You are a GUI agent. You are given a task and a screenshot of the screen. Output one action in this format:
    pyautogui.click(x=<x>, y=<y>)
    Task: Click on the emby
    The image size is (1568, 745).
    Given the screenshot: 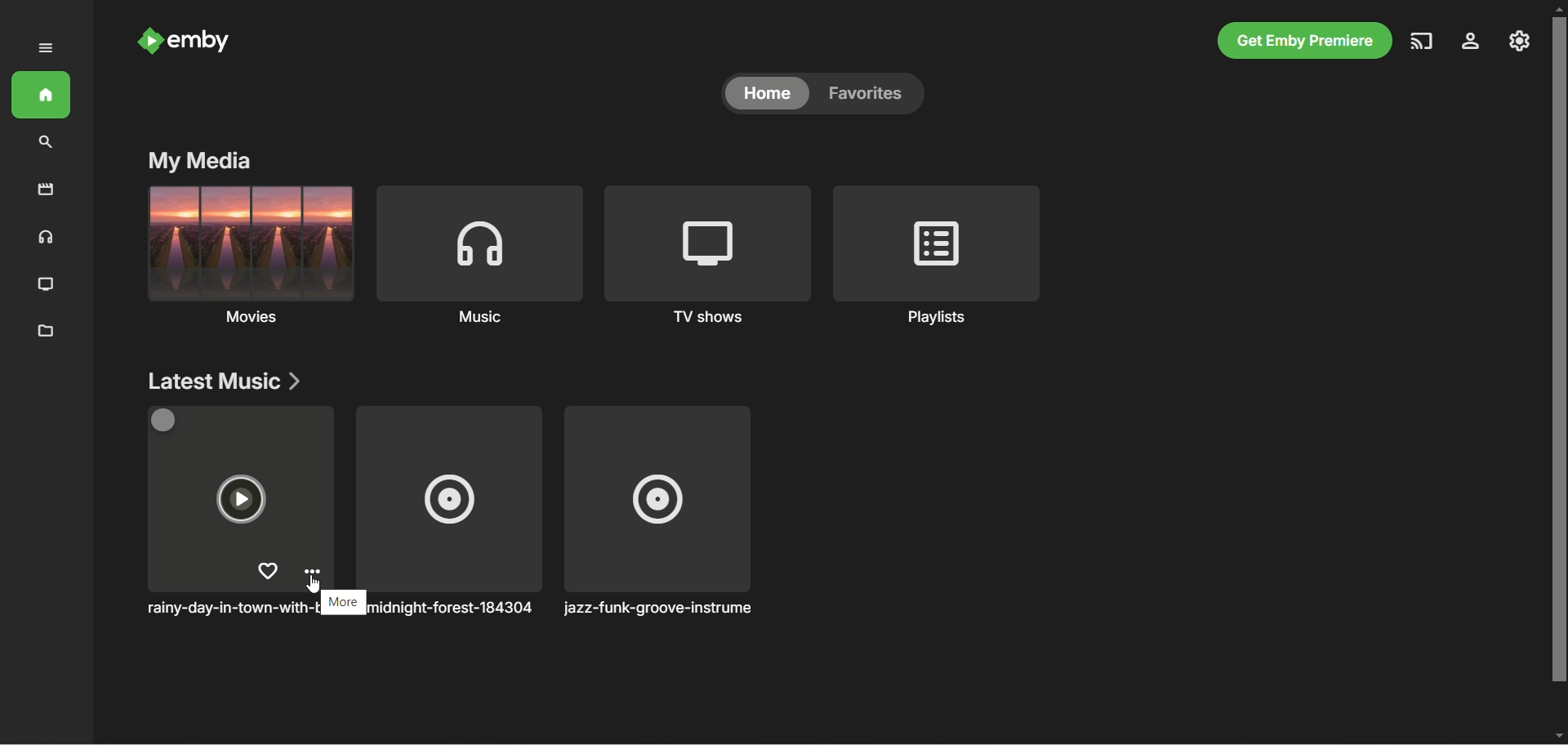 What is the action you would take?
    pyautogui.click(x=199, y=41)
    